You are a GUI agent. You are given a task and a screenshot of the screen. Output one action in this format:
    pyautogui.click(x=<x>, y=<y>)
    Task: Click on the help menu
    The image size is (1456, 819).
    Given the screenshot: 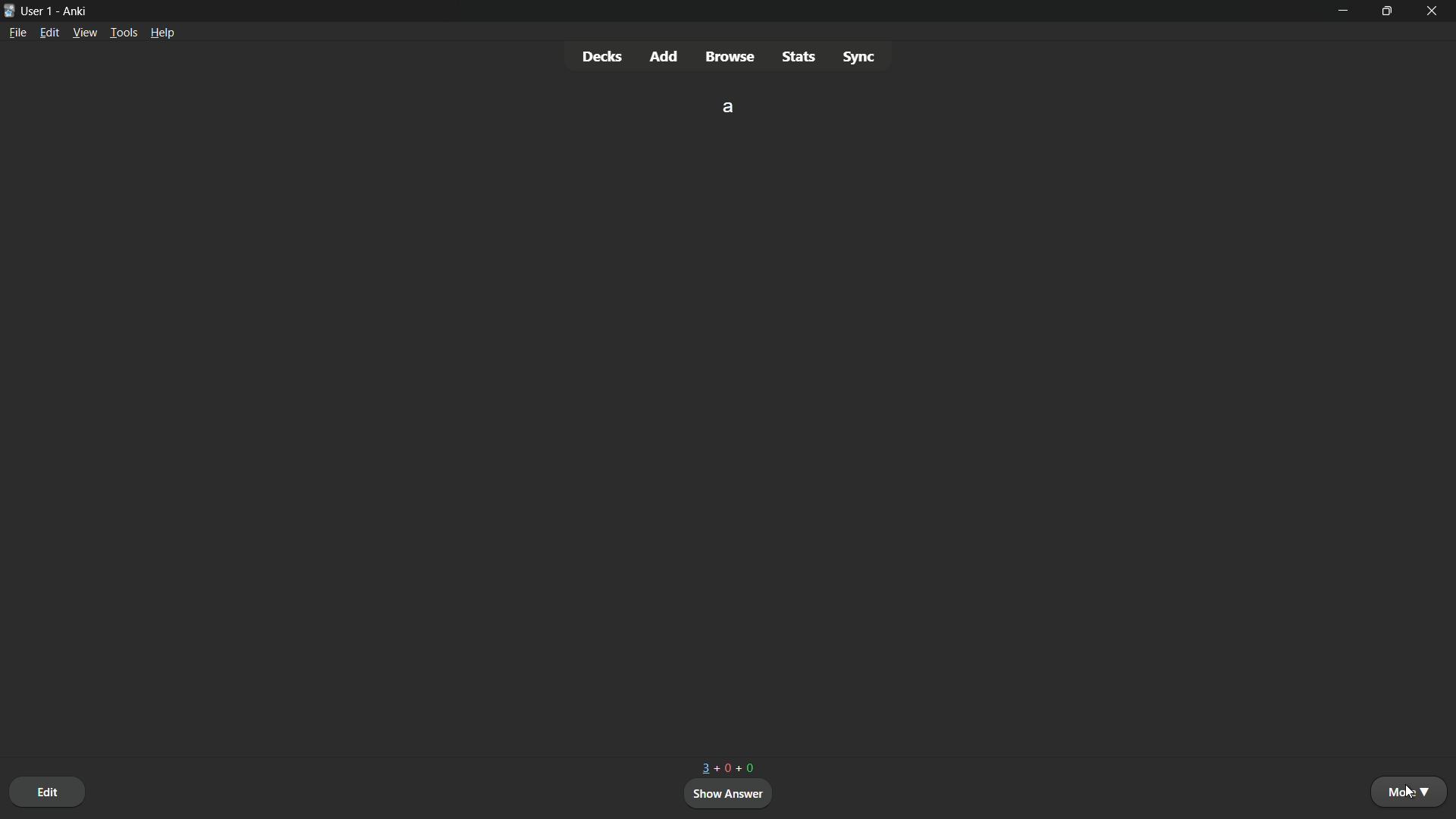 What is the action you would take?
    pyautogui.click(x=164, y=32)
    